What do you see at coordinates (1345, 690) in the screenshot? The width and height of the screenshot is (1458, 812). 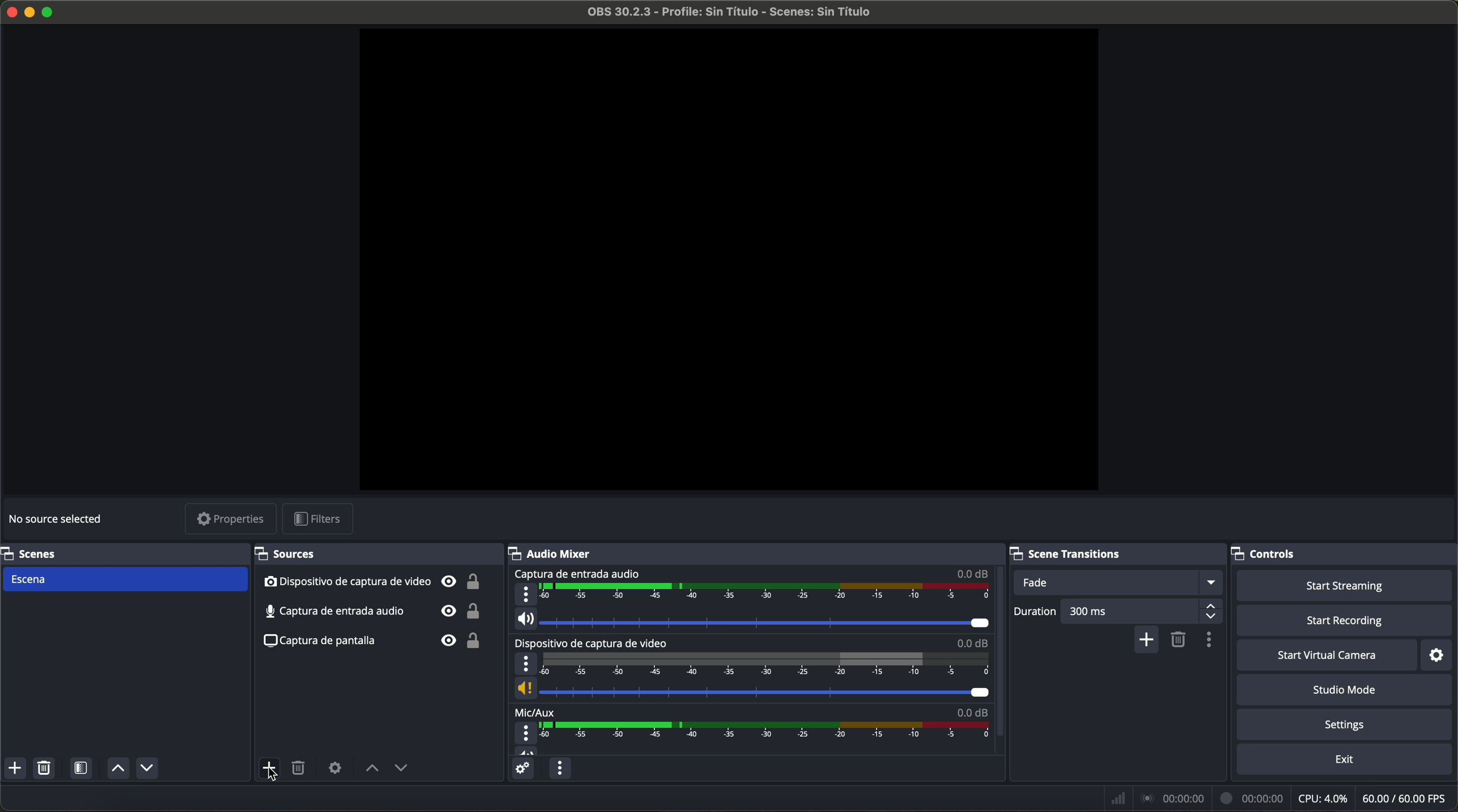 I see `studio mode` at bounding box center [1345, 690].